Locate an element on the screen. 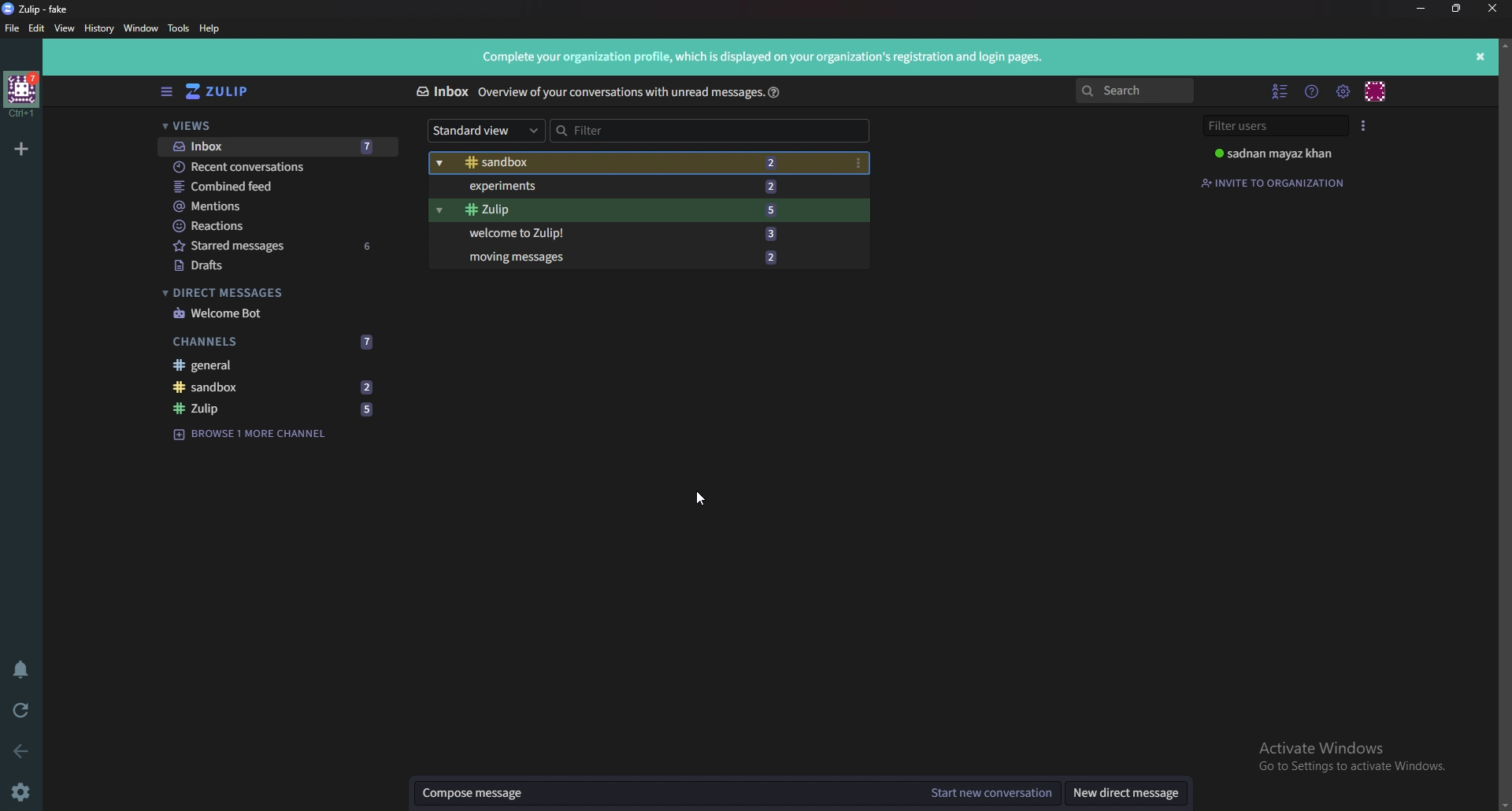  Channels is located at coordinates (274, 342).